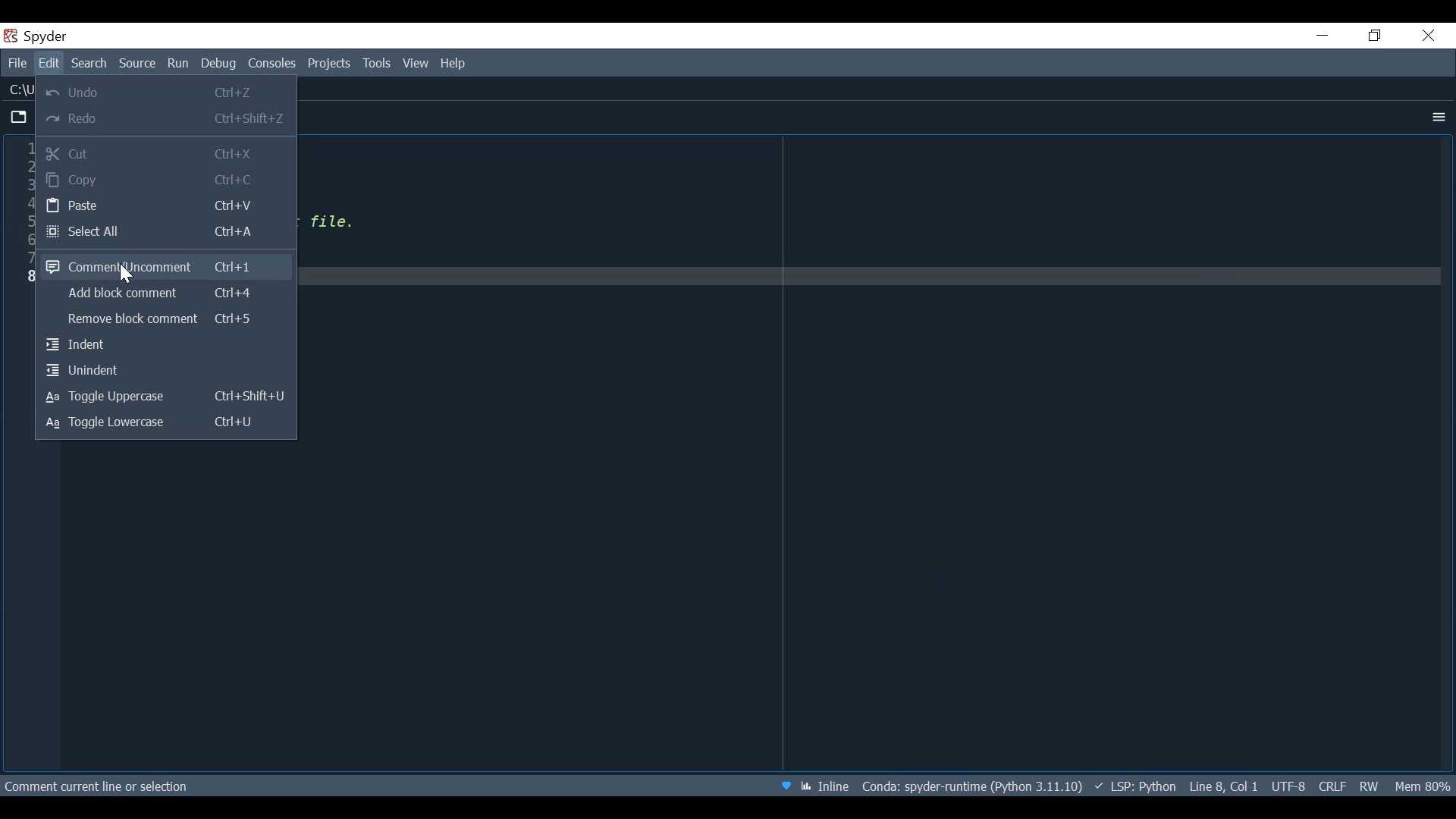  What do you see at coordinates (271, 65) in the screenshot?
I see `Console` at bounding box center [271, 65].